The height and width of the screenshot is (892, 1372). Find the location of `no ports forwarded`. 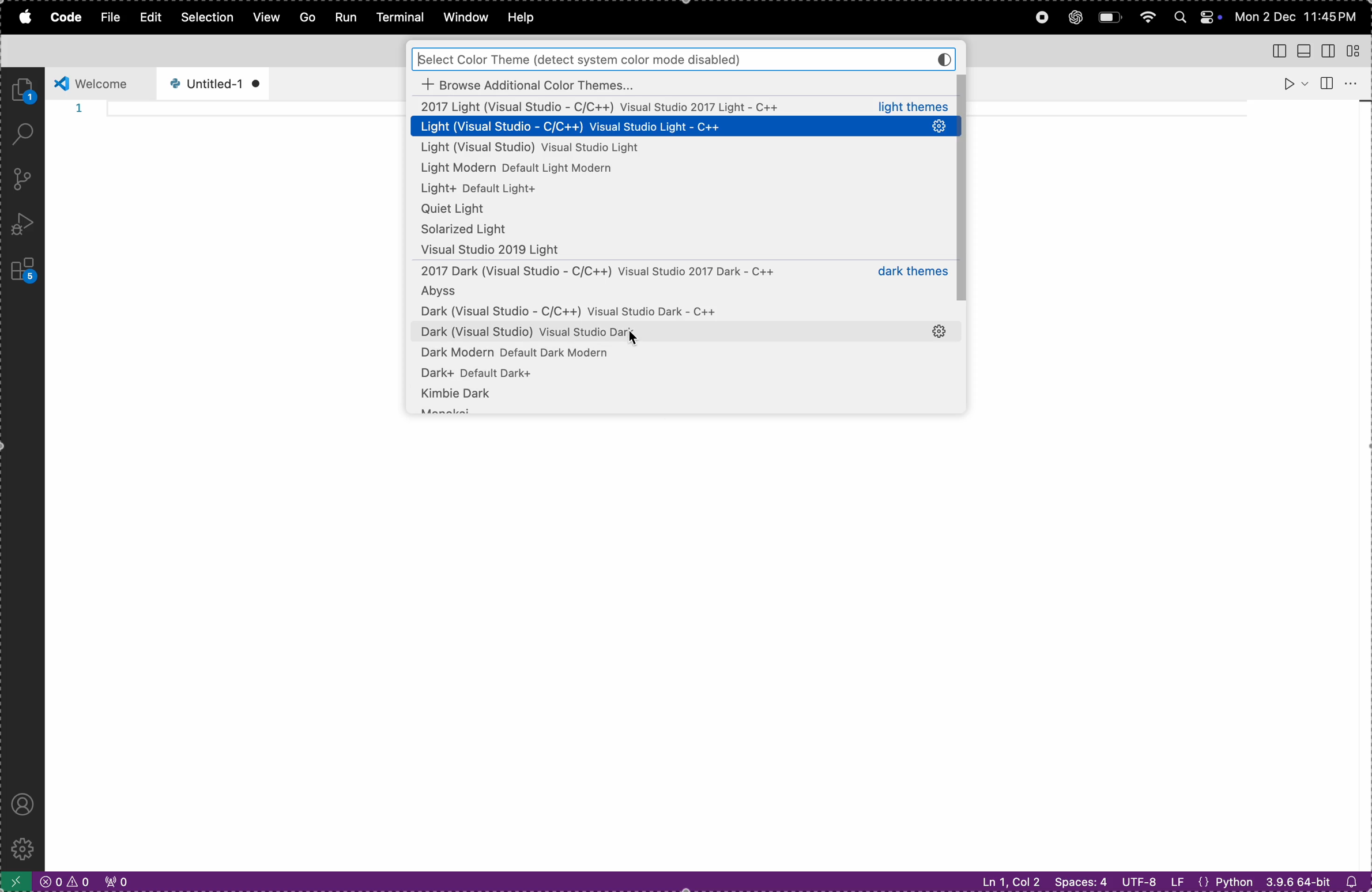

no ports forwarded is located at coordinates (115, 882).